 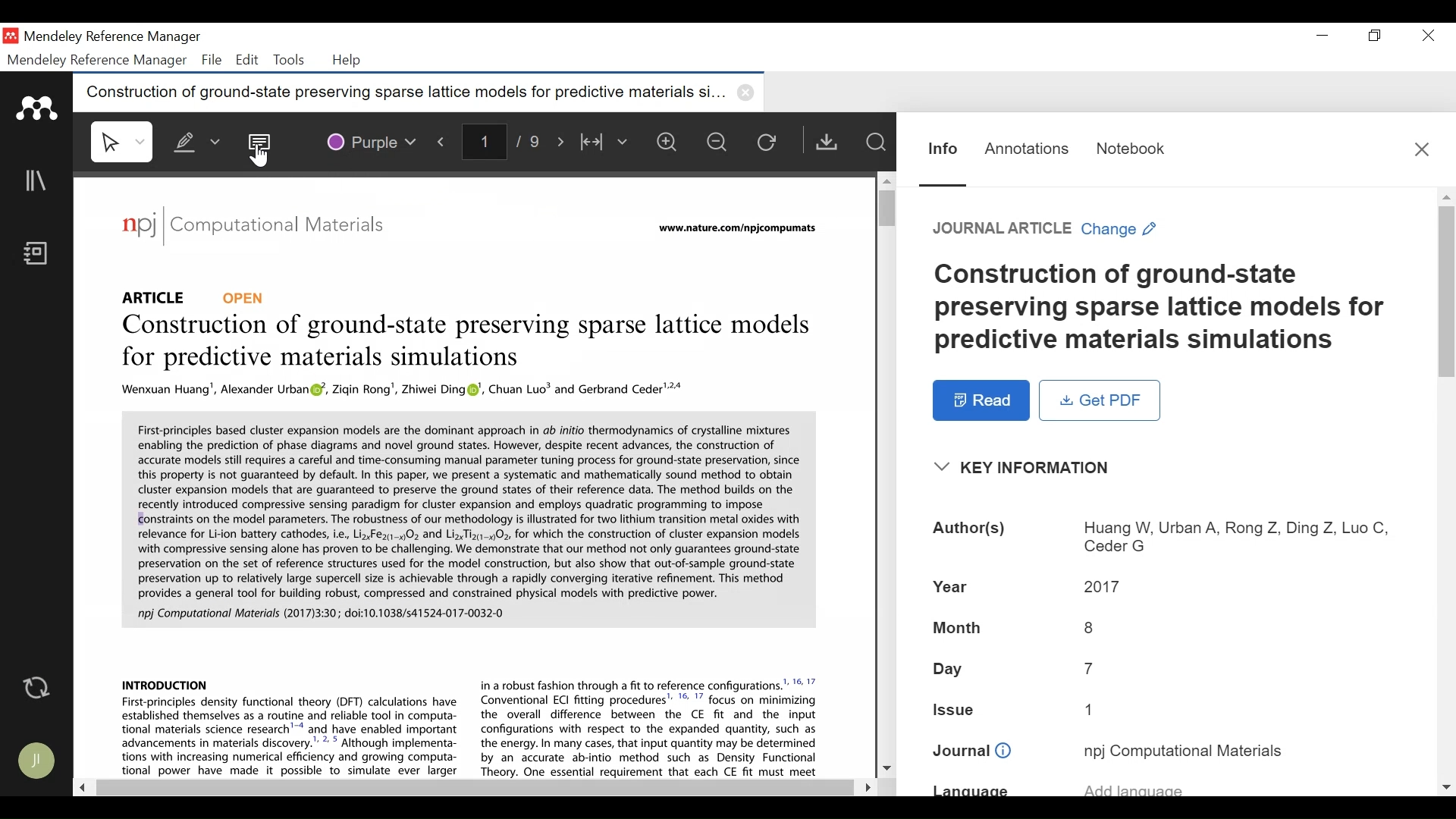 What do you see at coordinates (158, 295) in the screenshot?
I see `Reference Type: Article` at bounding box center [158, 295].